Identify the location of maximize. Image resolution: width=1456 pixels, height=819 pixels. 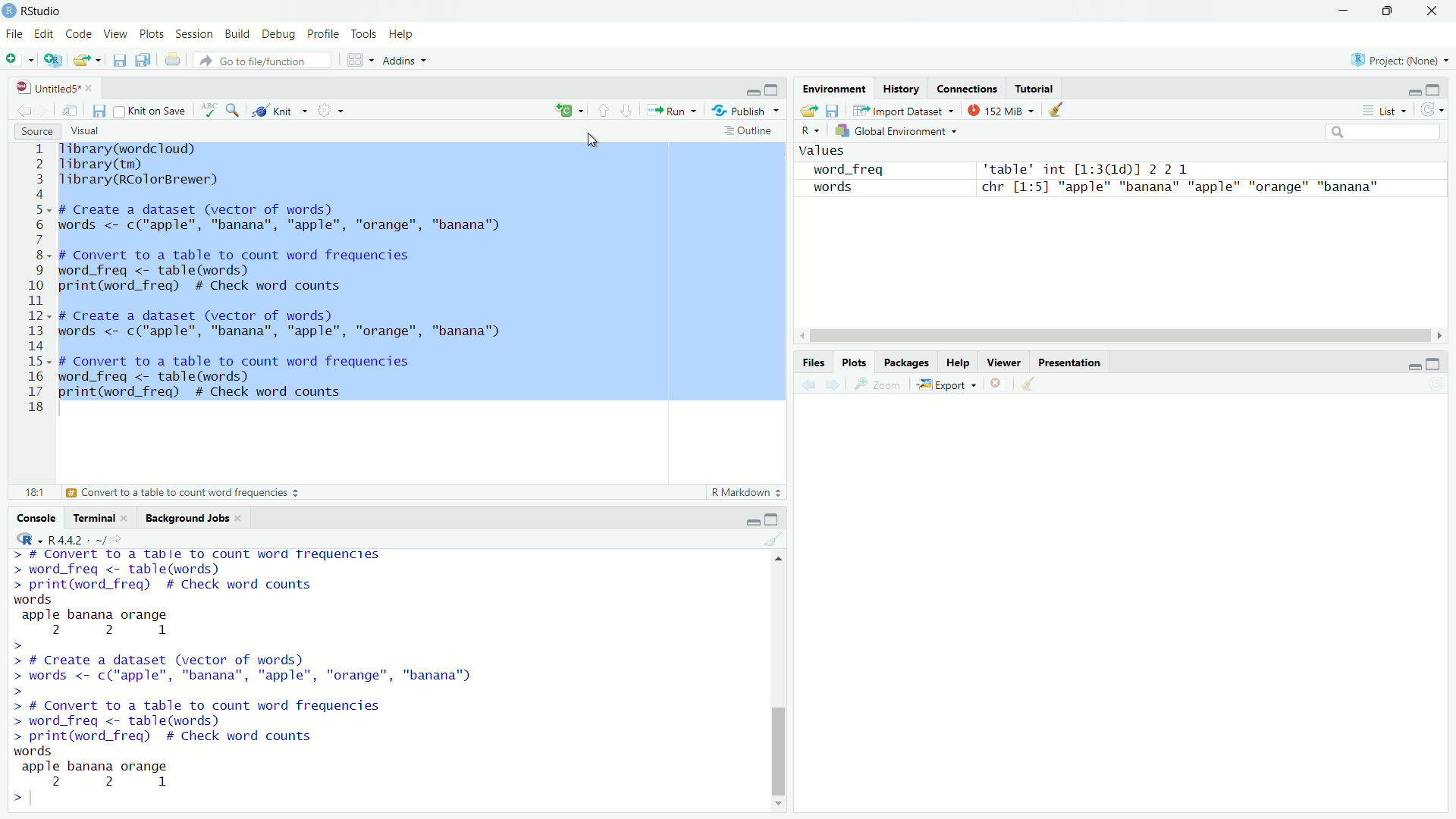
(1436, 91).